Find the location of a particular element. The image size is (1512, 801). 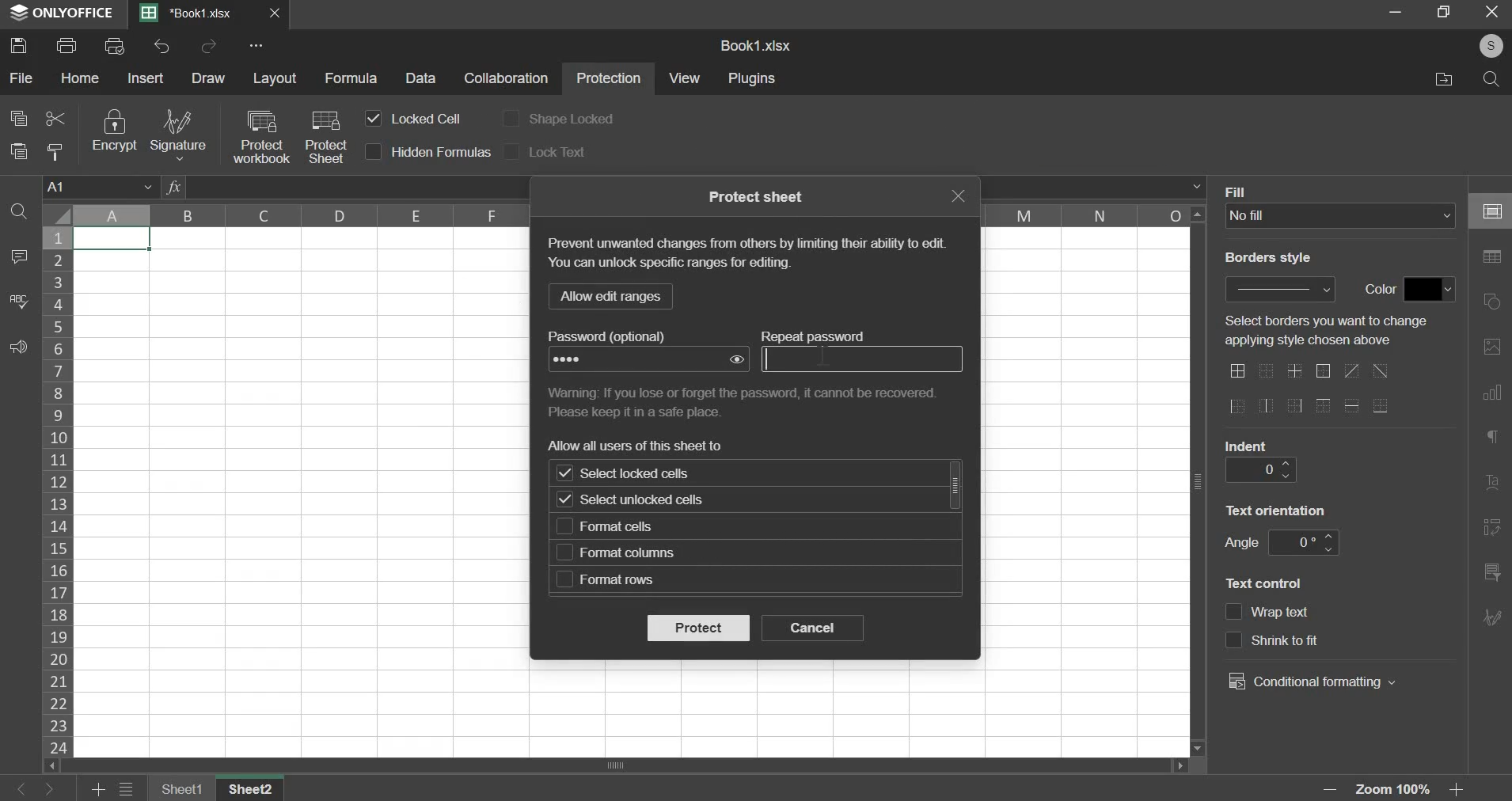

checkbox is located at coordinates (565, 579).